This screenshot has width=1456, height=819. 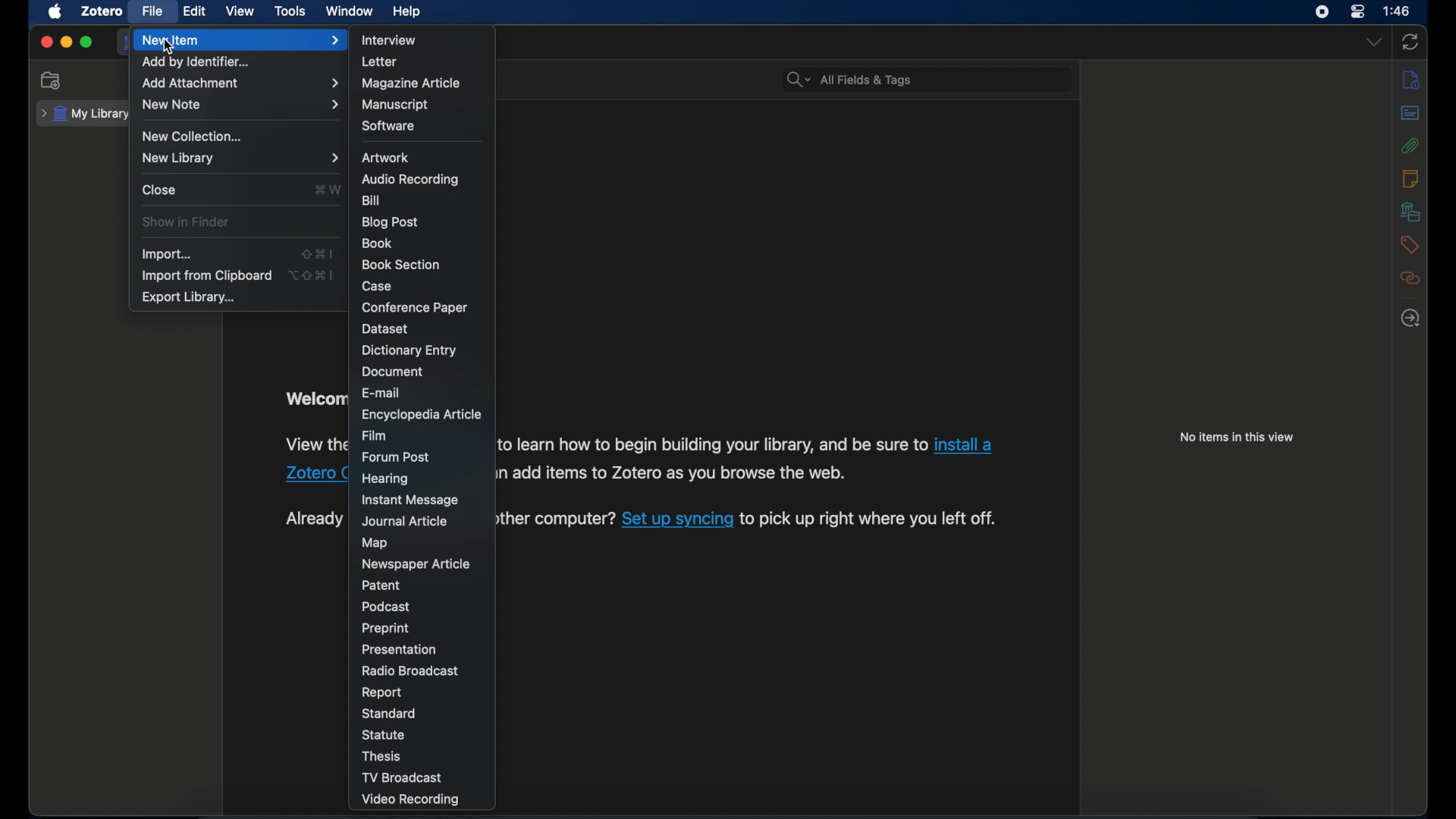 I want to click on no items in this view, so click(x=1237, y=437).